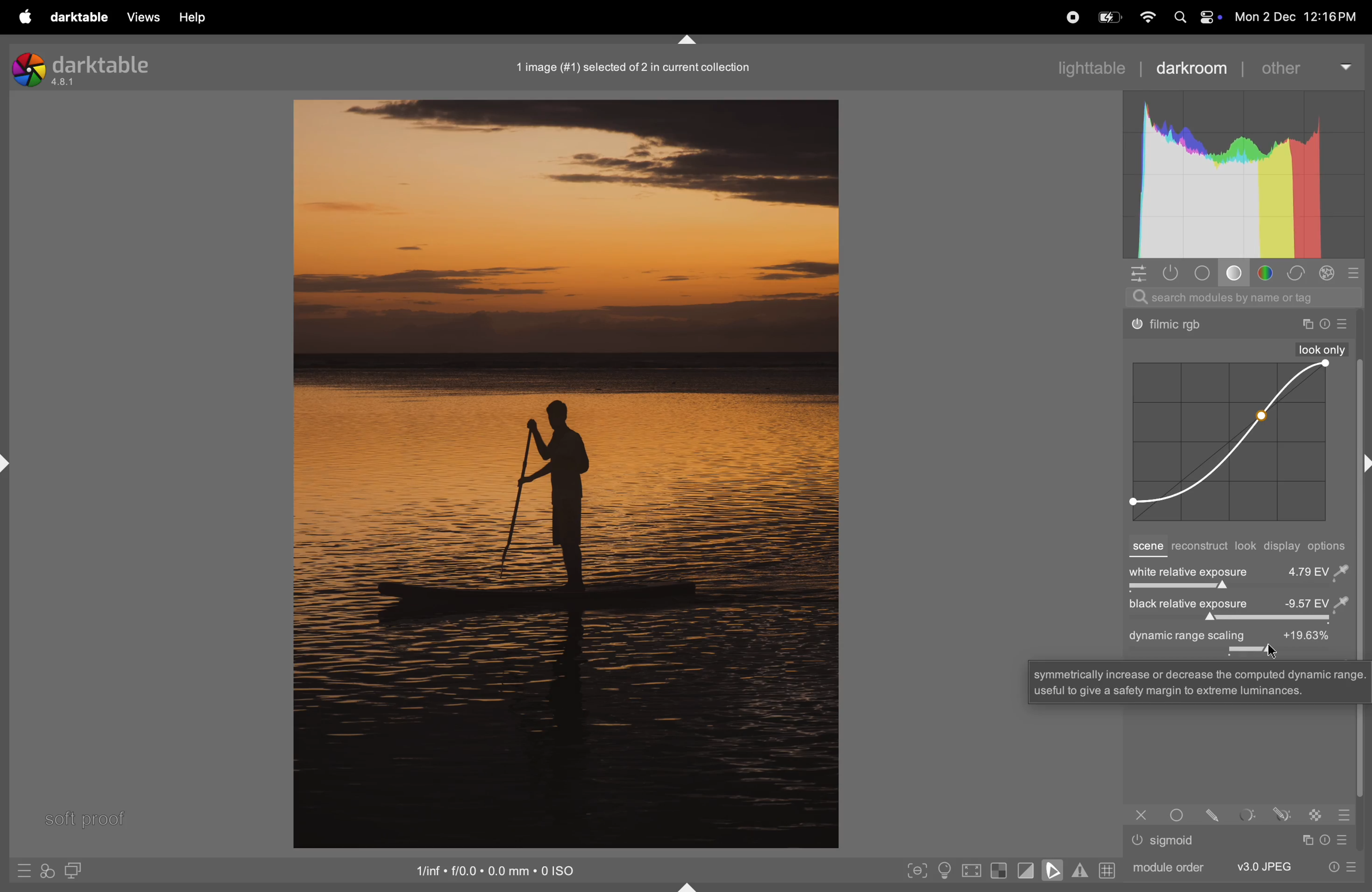 The image size is (1372, 892). I want to click on , so click(1345, 324).